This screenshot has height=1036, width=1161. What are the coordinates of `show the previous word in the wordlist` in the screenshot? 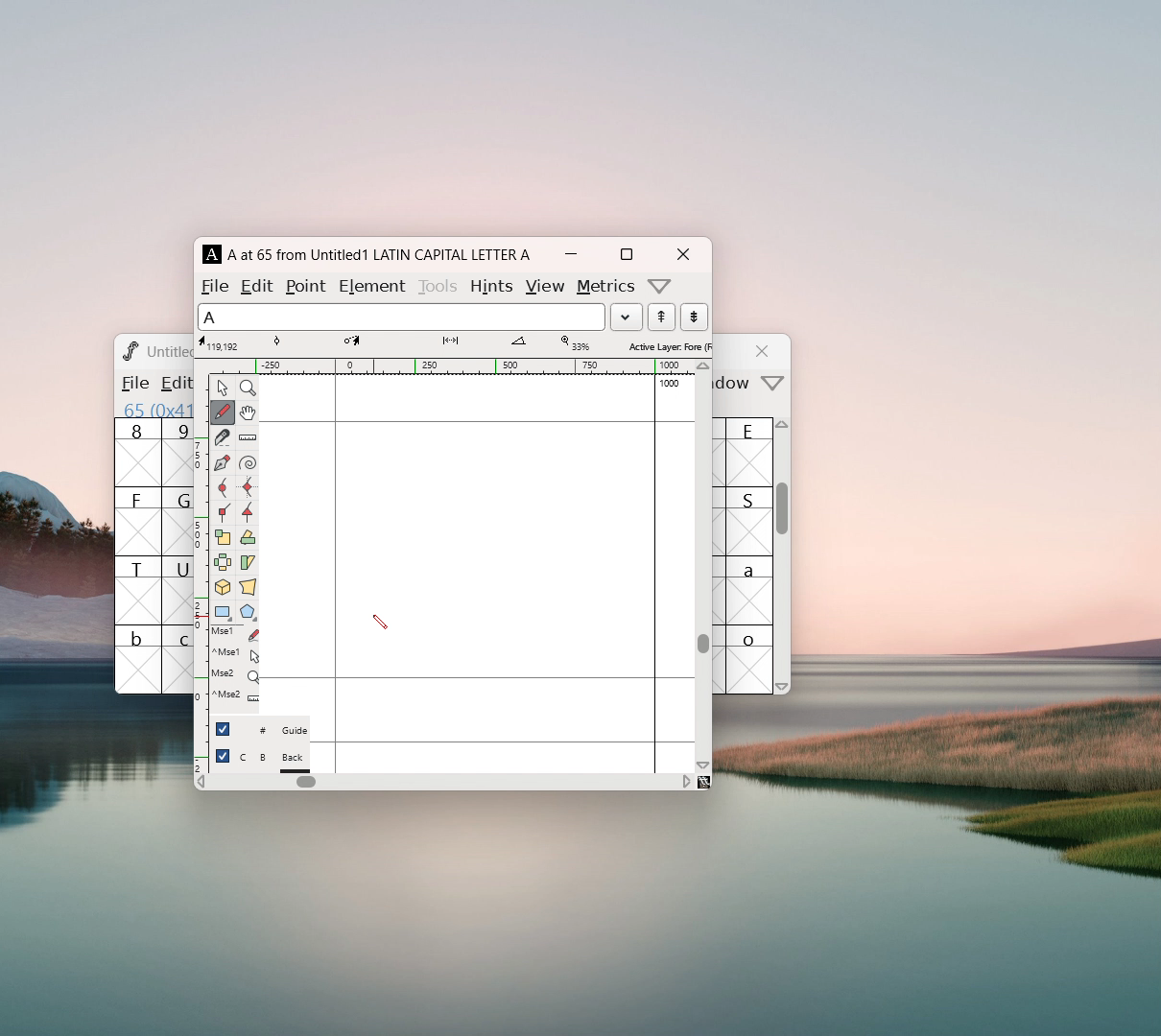 It's located at (694, 317).